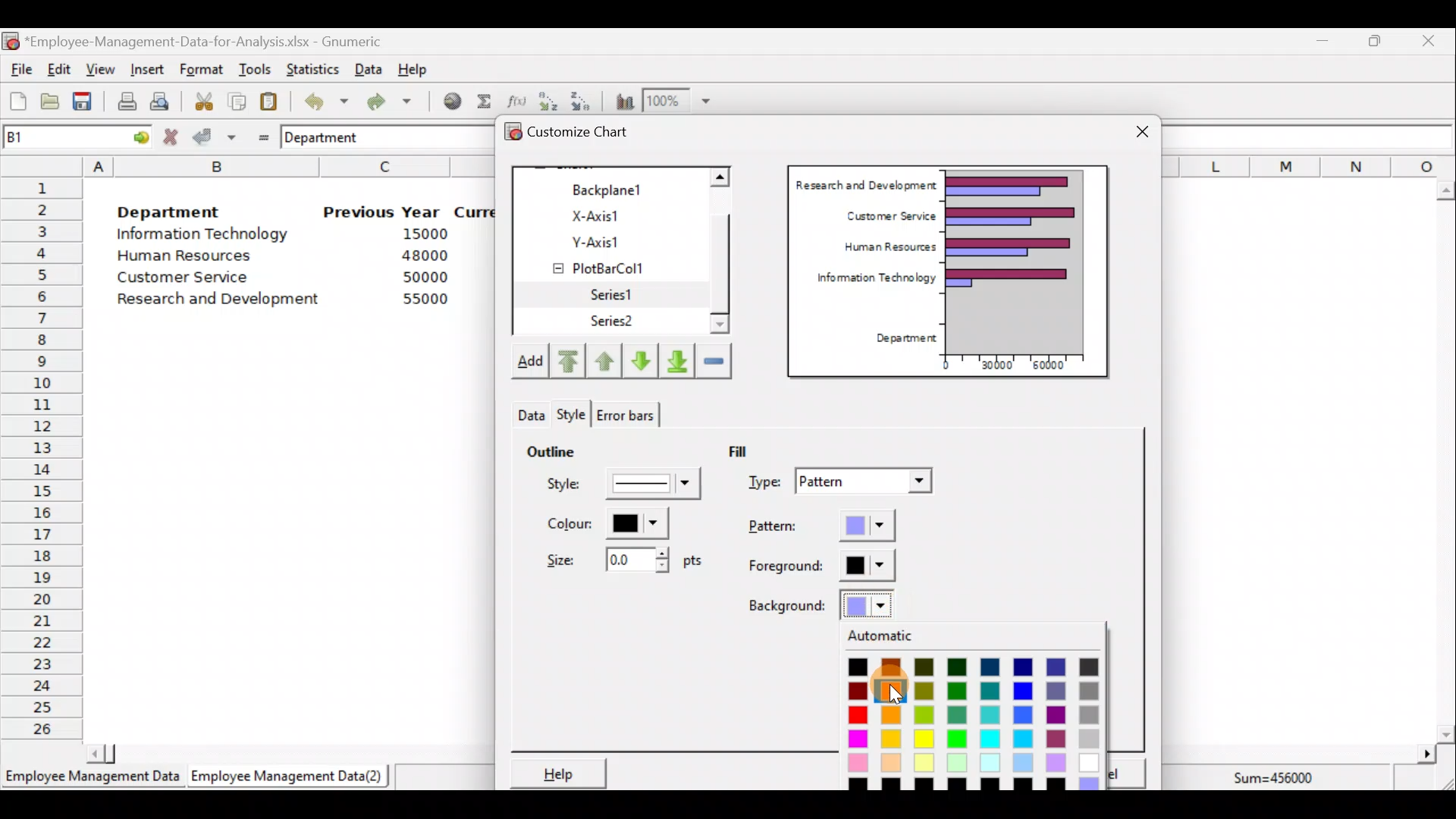 This screenshot has height=819, width=1456. I want to click on Fill, so click(749, 450).